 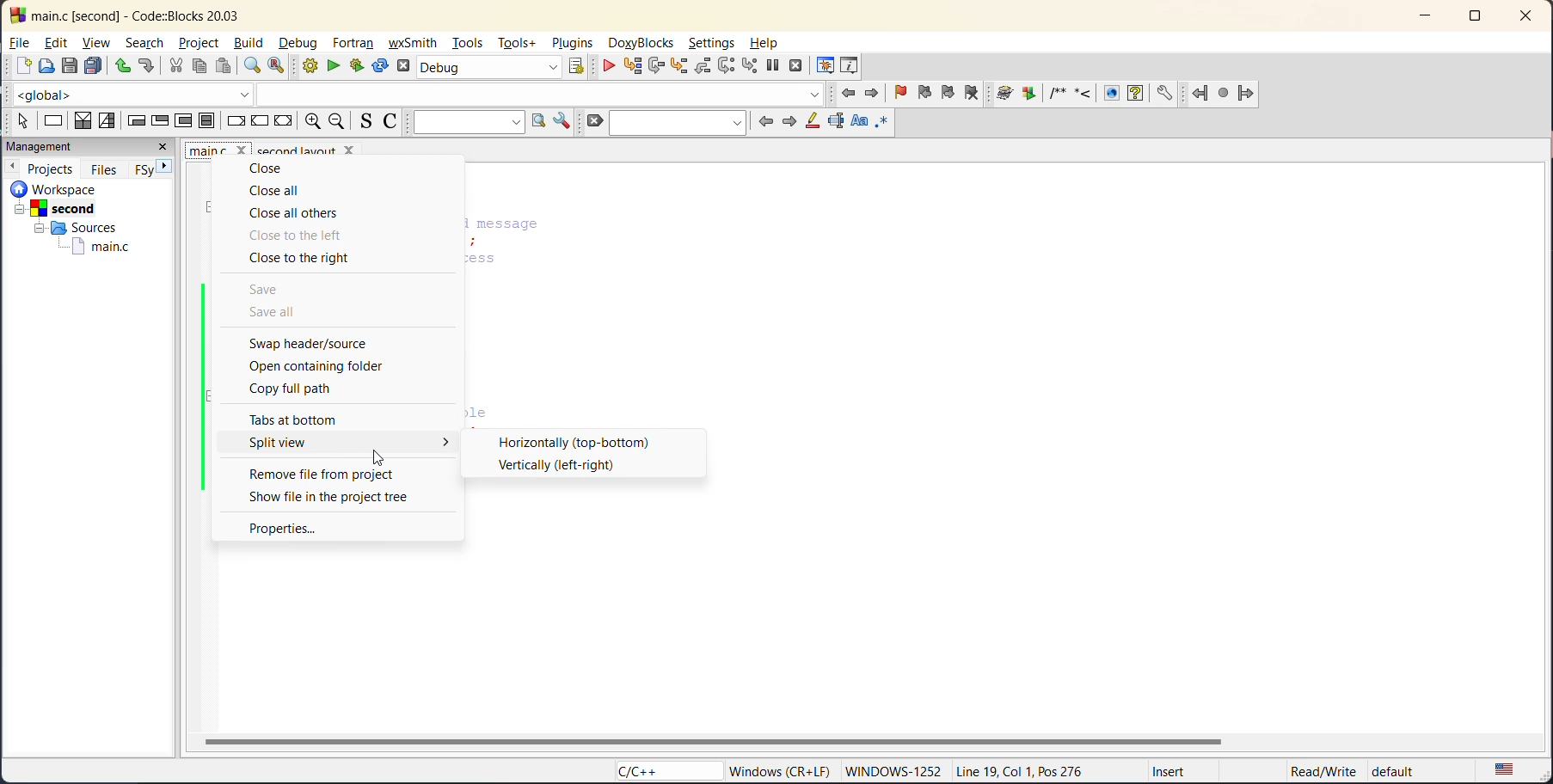 I want to click on build, so click(x=305, y=65).